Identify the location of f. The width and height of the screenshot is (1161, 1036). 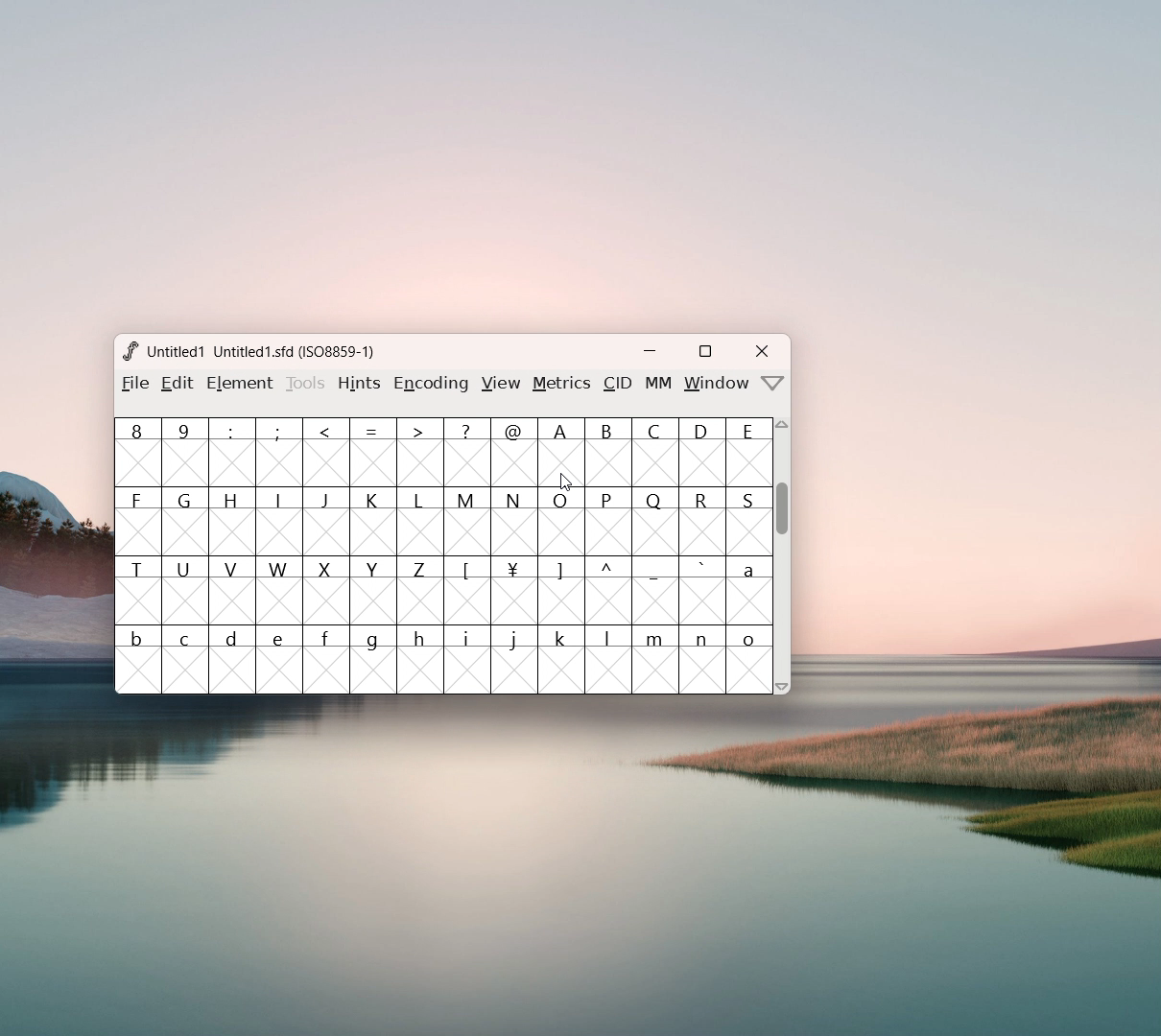
(326, 659).